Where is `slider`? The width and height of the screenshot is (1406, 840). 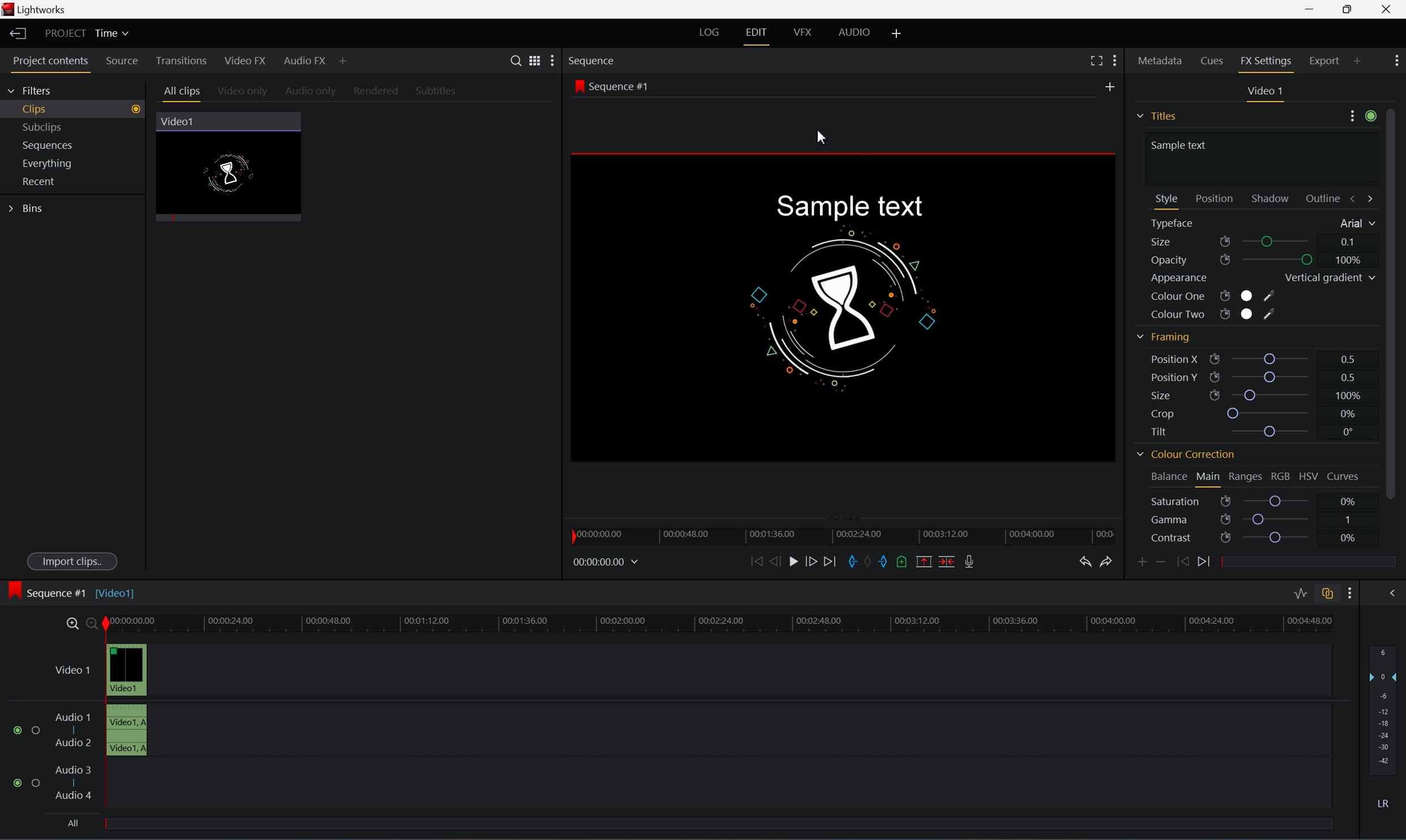 slider is located at coordinates (1280, 260).